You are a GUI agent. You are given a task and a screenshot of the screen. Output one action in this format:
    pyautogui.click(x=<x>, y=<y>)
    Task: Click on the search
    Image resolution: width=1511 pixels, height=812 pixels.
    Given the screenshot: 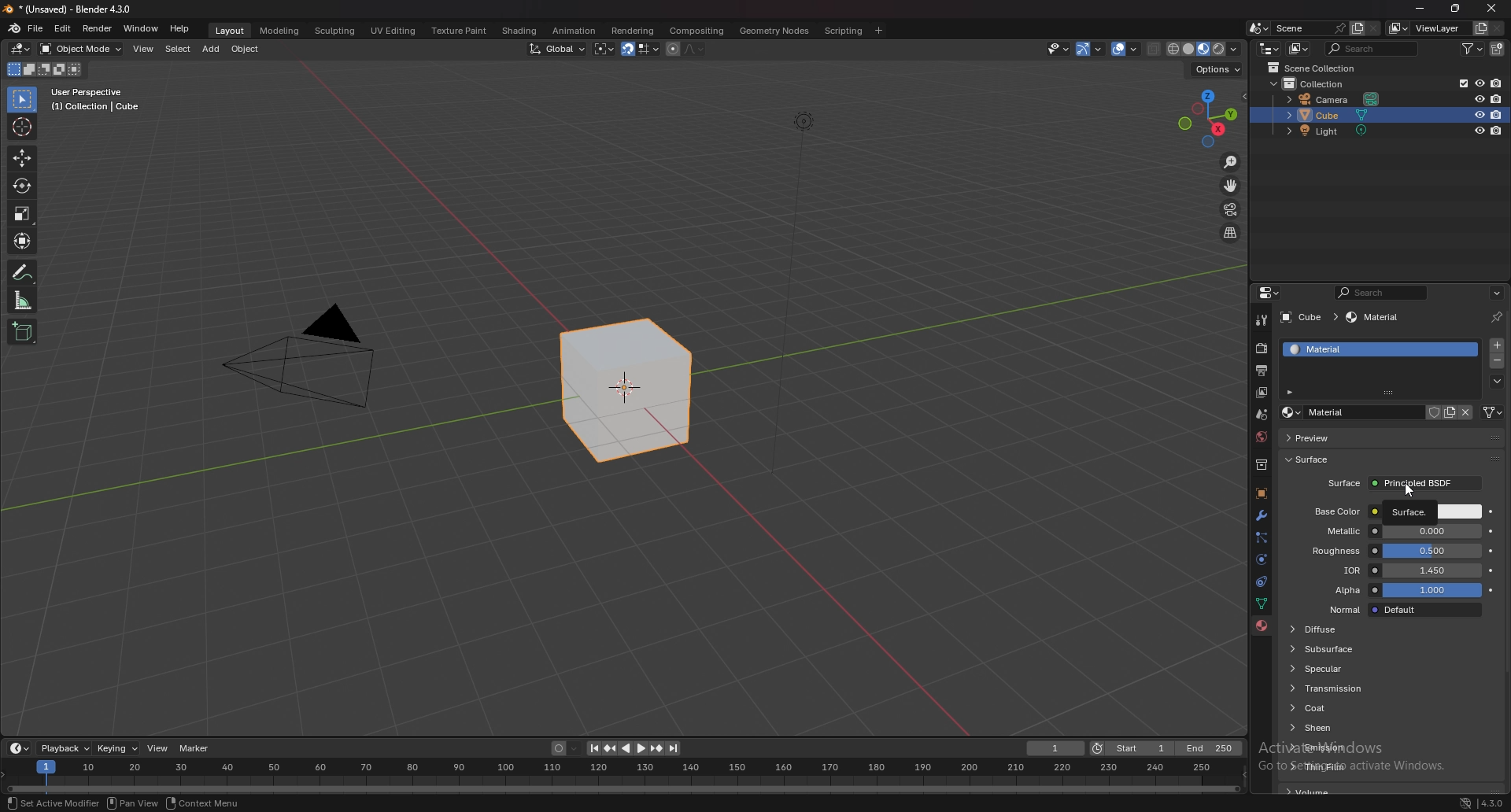 What is the action you would take?
    pyautogui.click(x=1385, y=293)
    